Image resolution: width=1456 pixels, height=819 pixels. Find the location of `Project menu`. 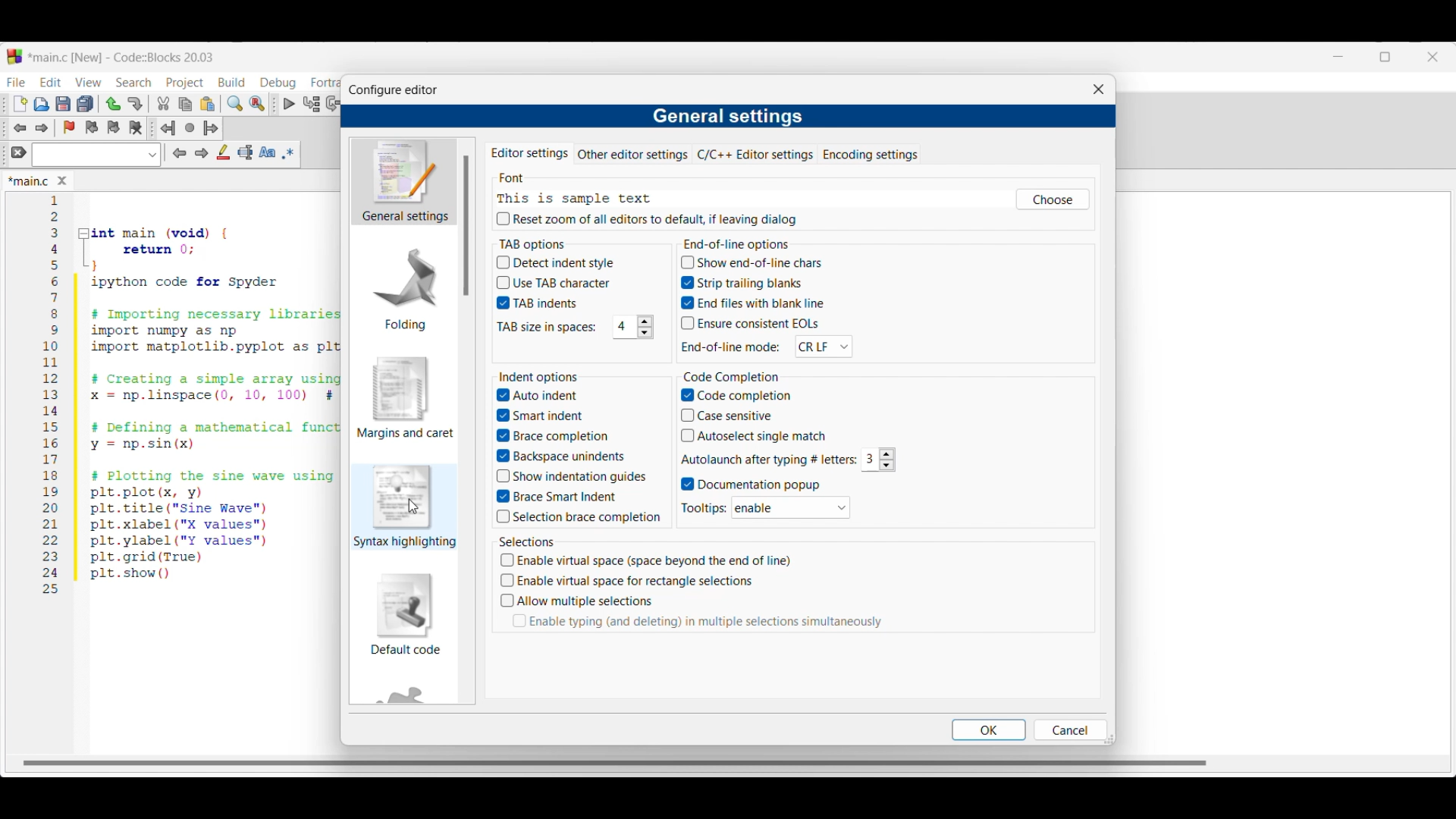

Project menu is located at coordinates (185, 83).